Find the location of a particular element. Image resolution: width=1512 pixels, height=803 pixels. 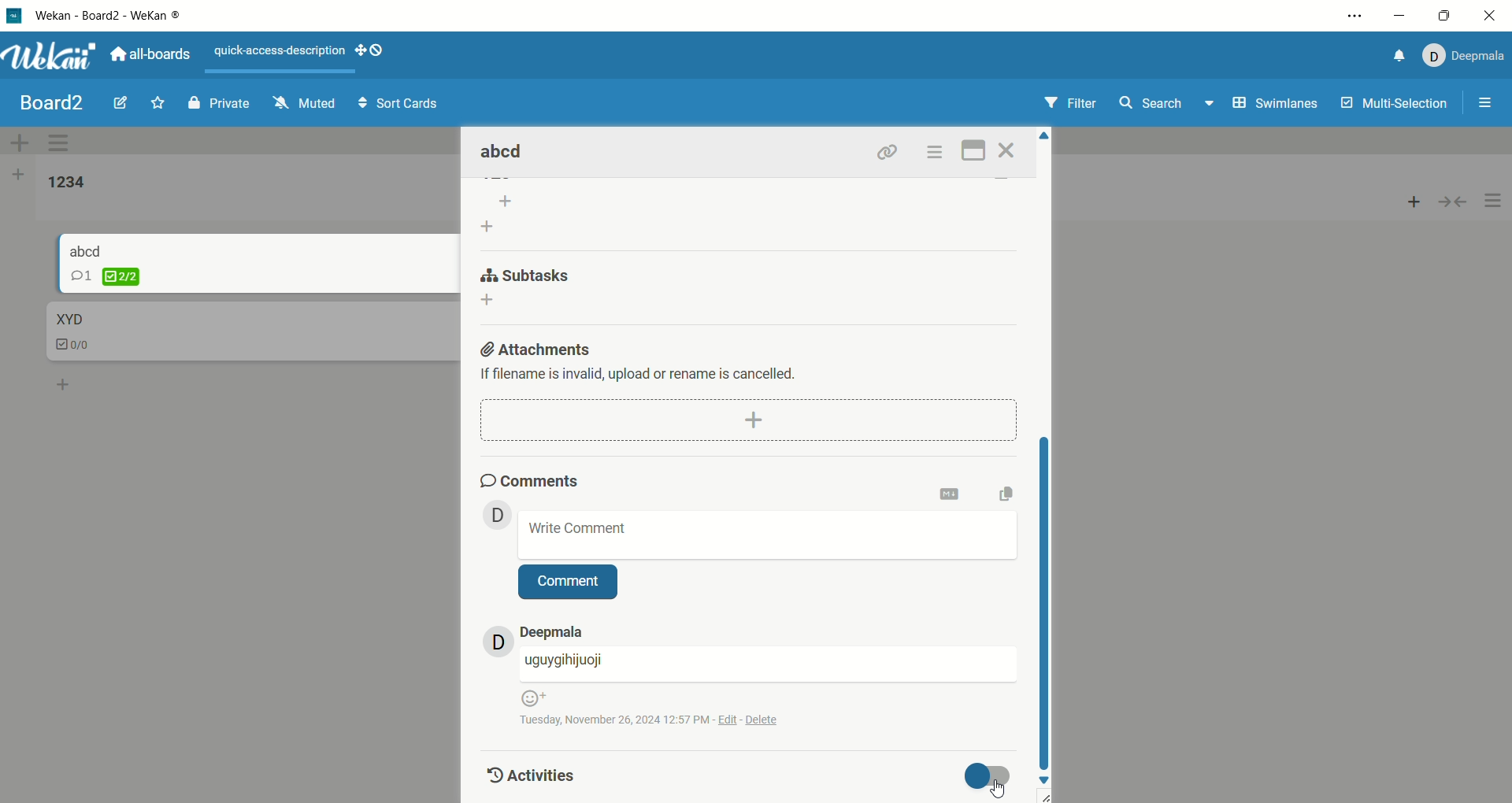

logo is located at coordinates (15, 18).